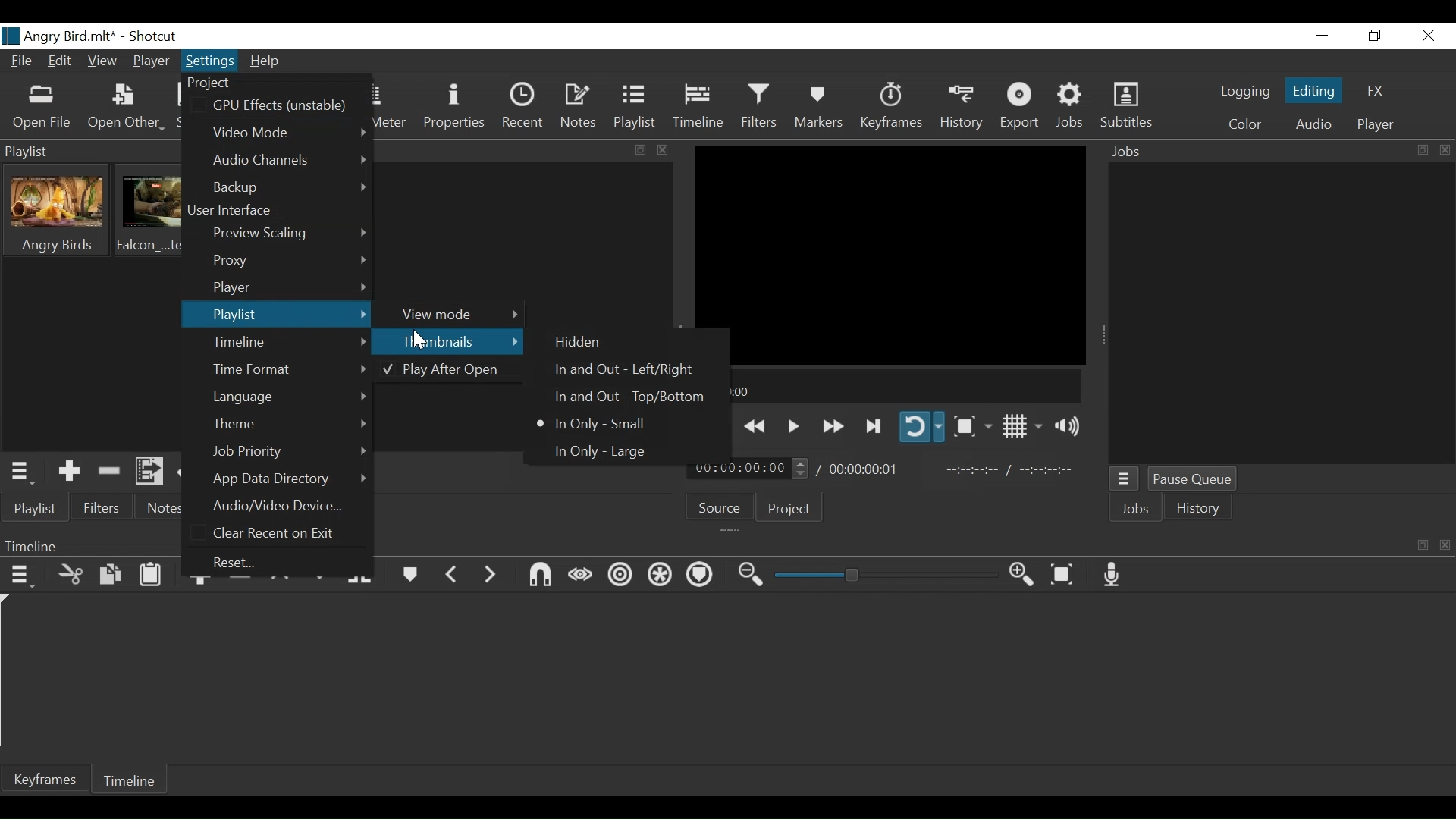 The height and width of the screenshot is (819, 1456). Describe the element at coordinates (1012, 472) in the screenshot. I see `In point` at that location.